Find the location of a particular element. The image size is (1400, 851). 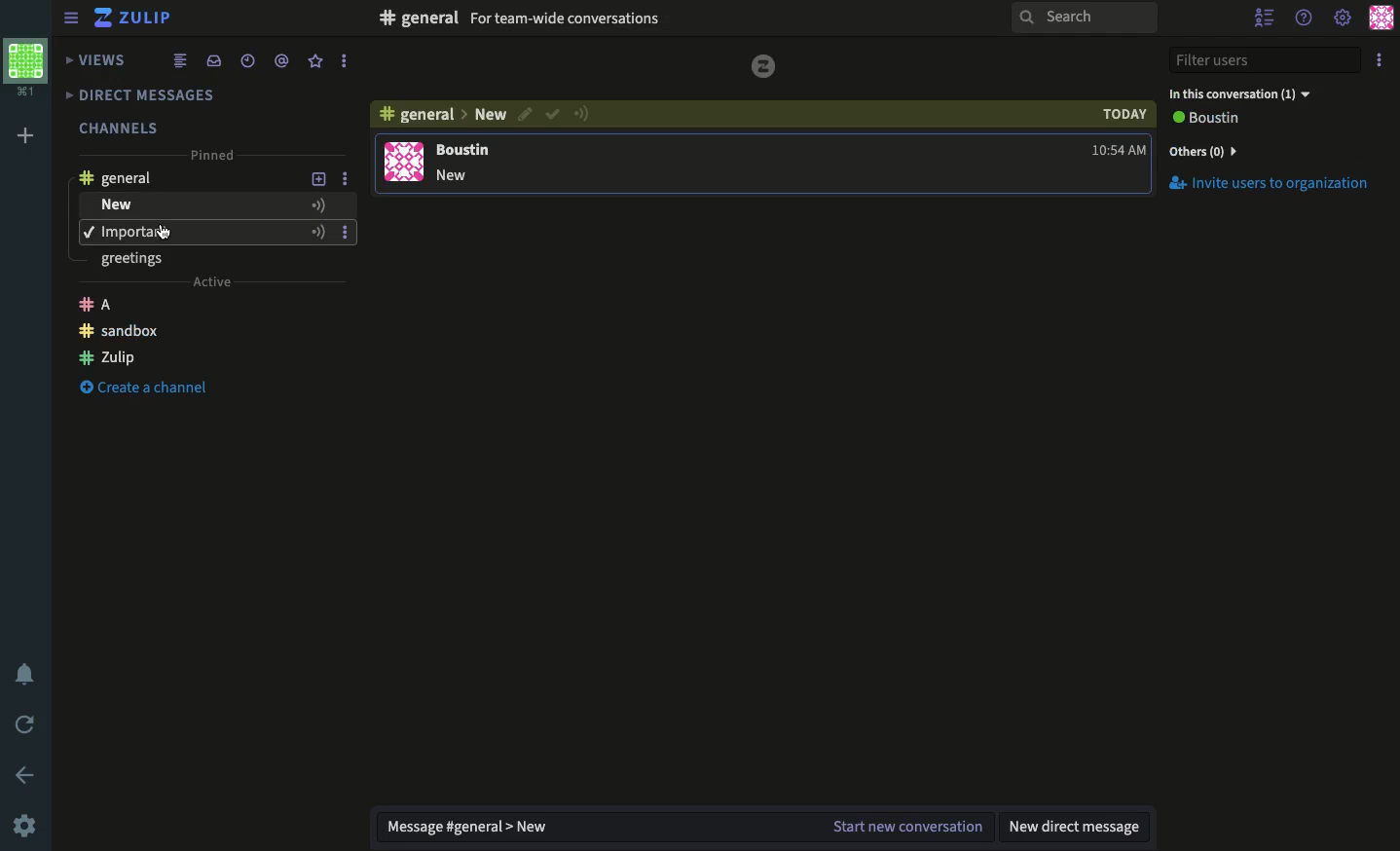

Zulip is located at coordinates (137, 18).